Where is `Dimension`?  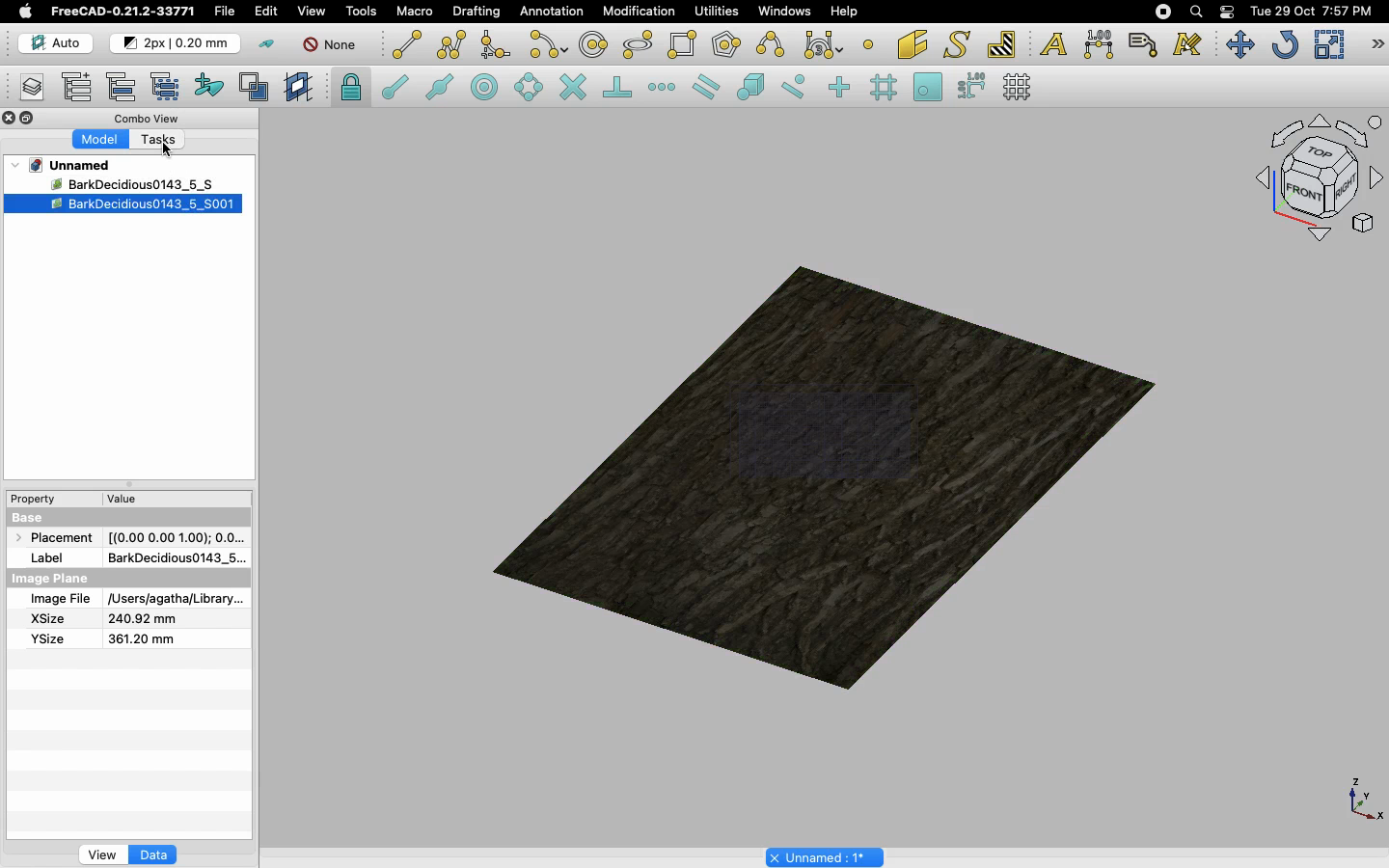 Dimension is located at coordinates (1101, 44).